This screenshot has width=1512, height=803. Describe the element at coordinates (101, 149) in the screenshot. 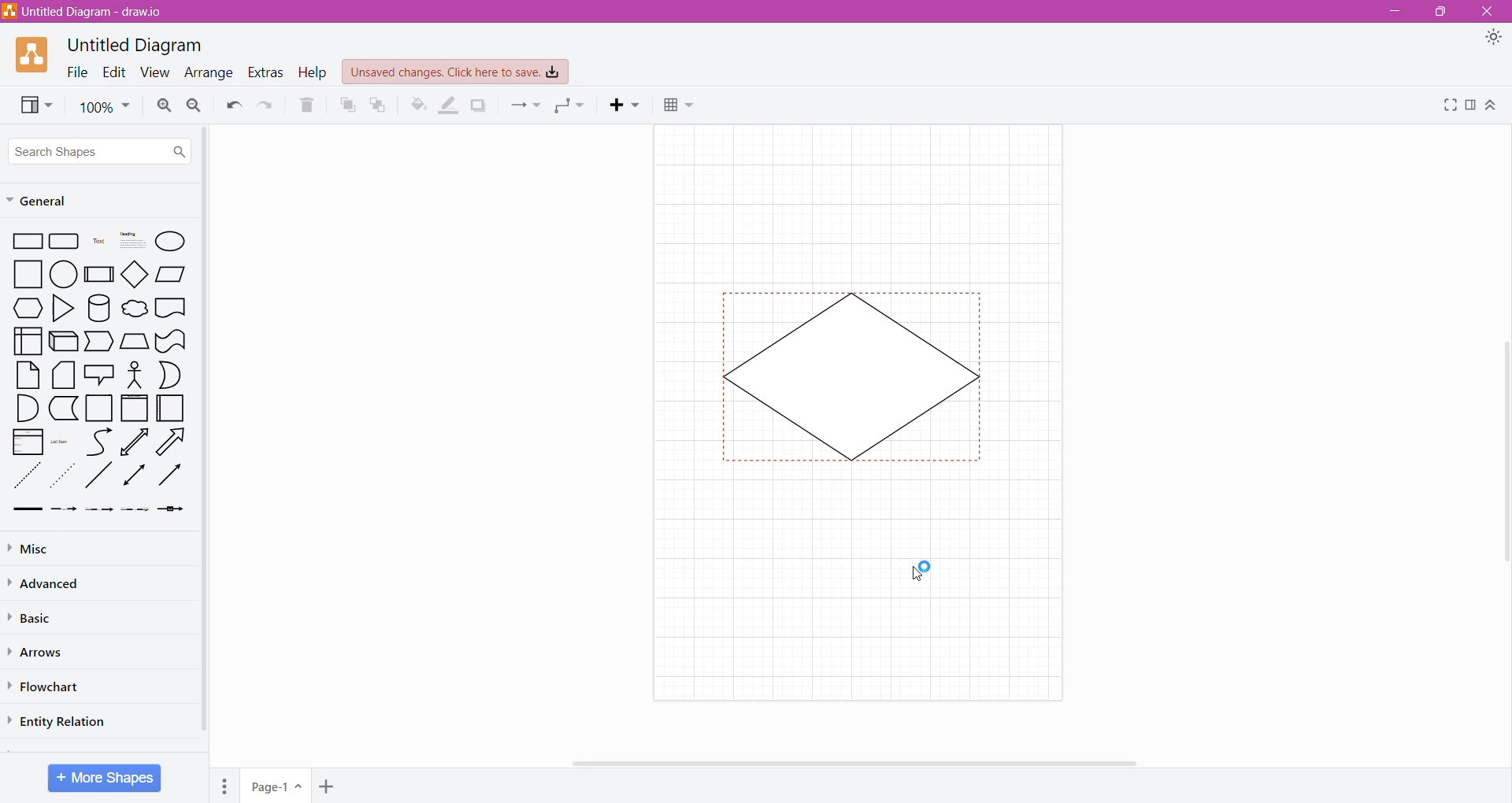

I see `Search Shapes` at that location.